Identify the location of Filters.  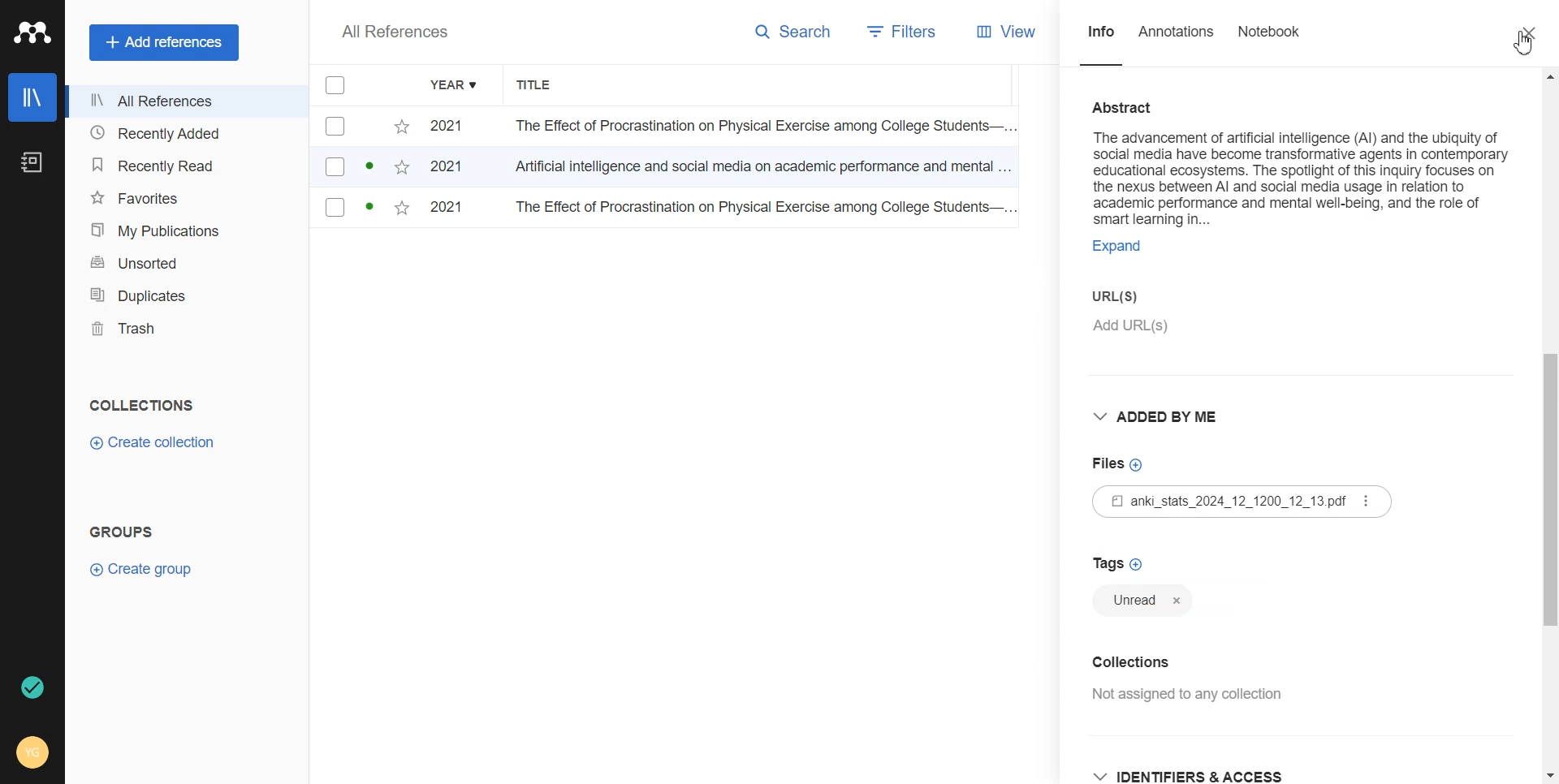
(899, 32).